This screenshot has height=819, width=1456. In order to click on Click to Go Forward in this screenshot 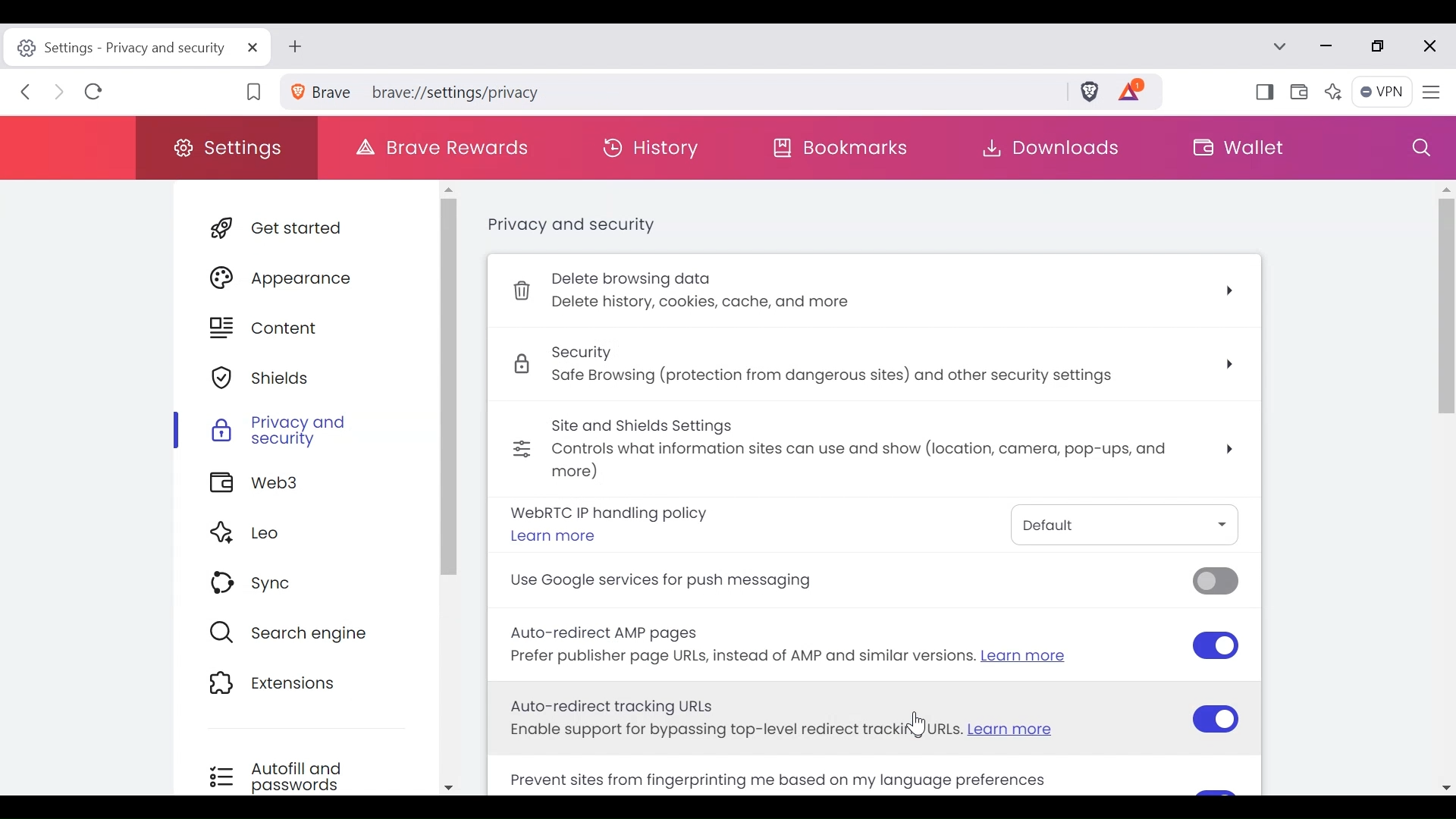, I will do `click(60, 95)`.